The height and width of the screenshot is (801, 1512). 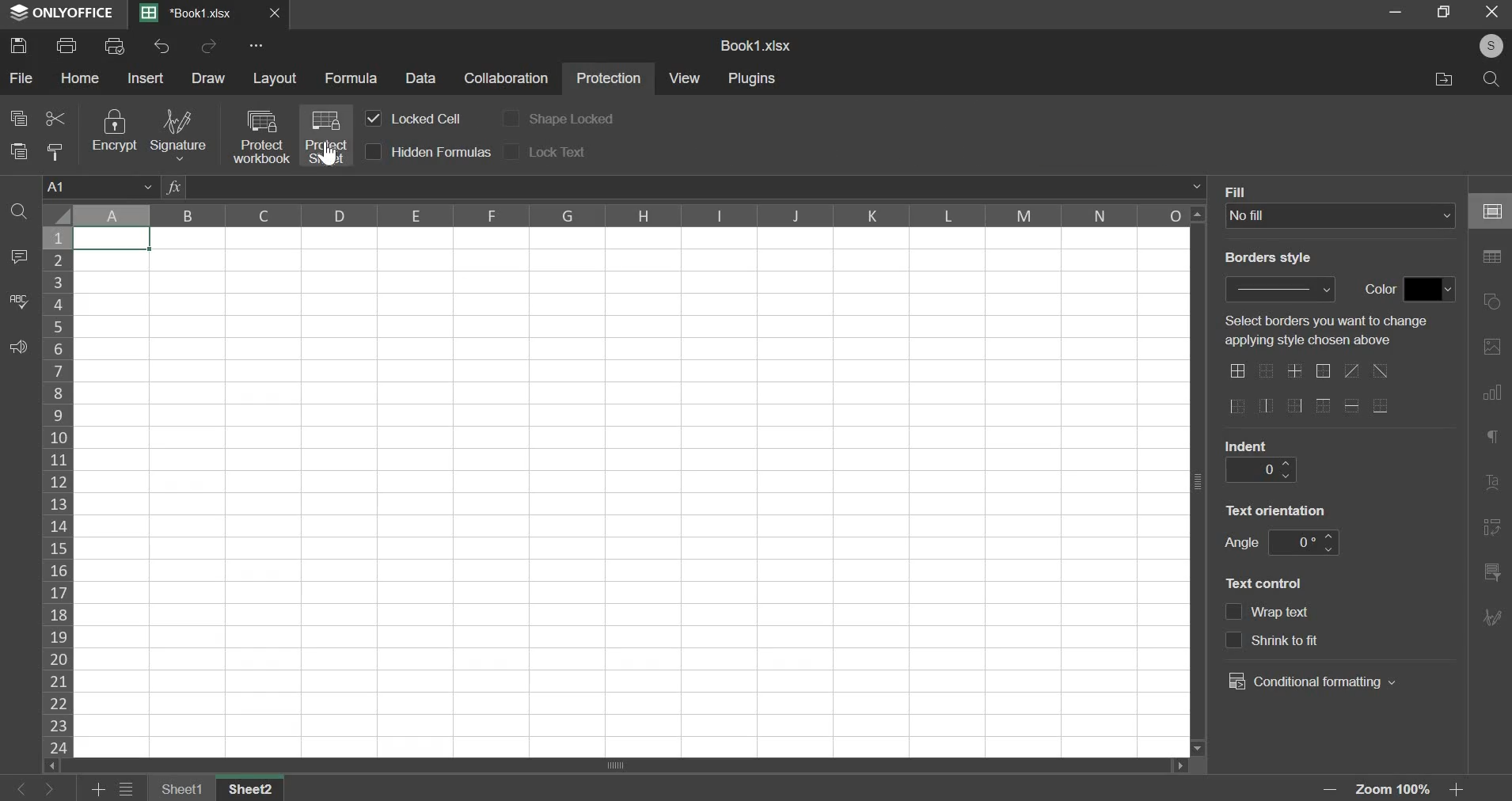 What do you see at coordinates (1380, 406) in the screenshot?
I see `border options` at bounding box center [1380, 406].